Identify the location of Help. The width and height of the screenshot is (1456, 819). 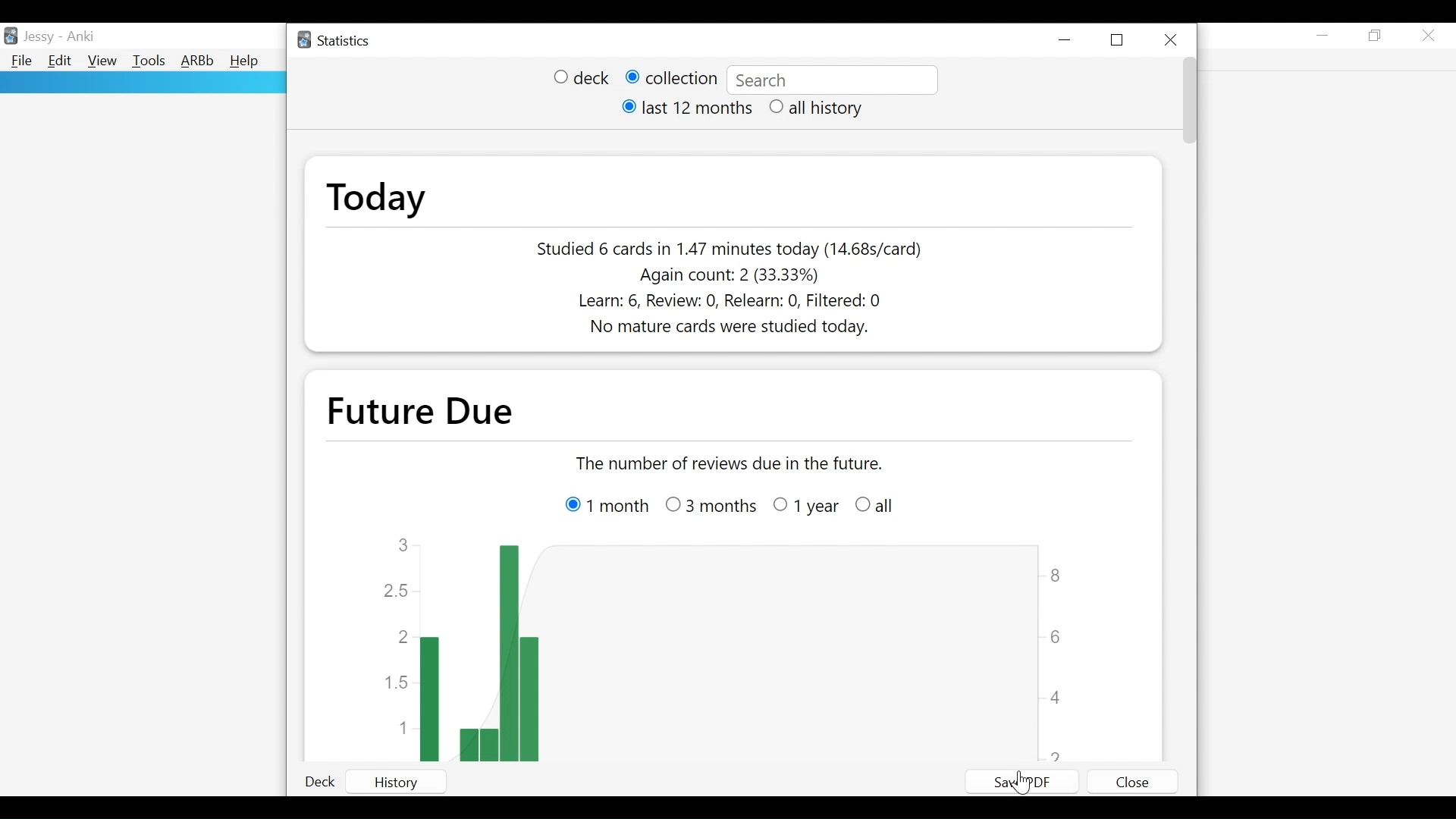
(247, 61).